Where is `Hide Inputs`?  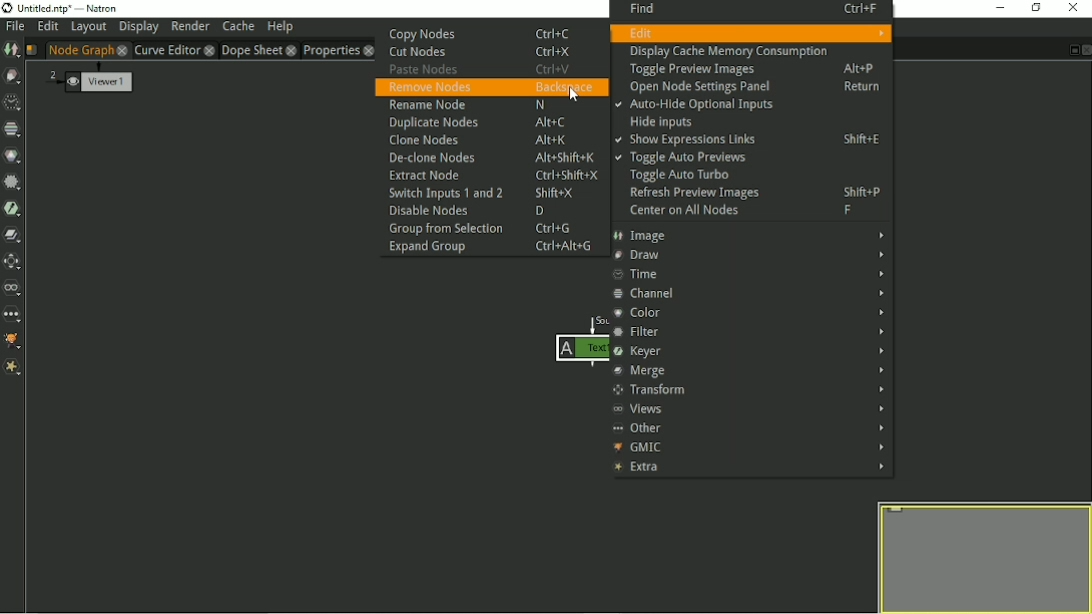 Hide Inputs is located at coordinates (662, 122).